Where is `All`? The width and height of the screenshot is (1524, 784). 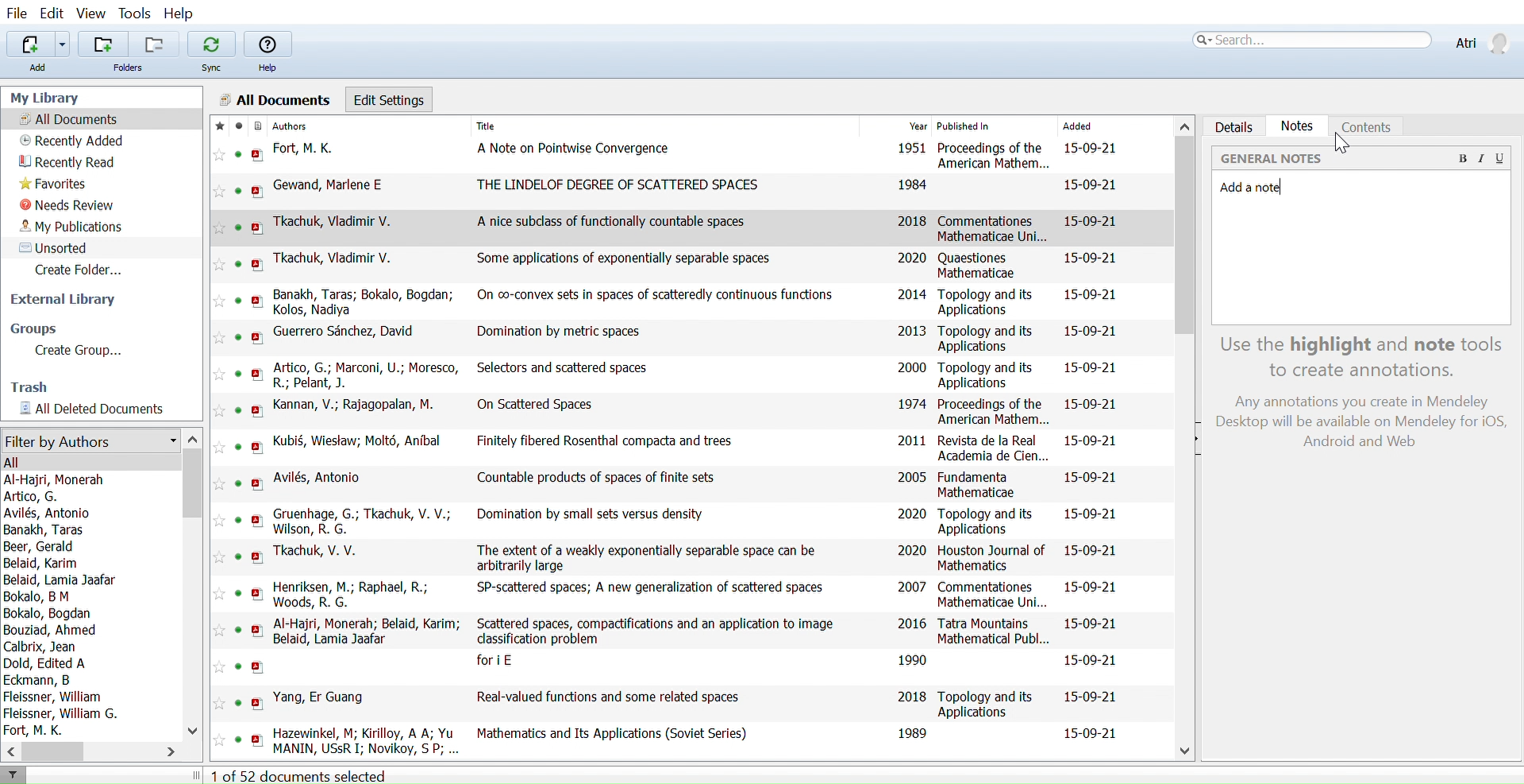
All is located at coordinates (14, 463).